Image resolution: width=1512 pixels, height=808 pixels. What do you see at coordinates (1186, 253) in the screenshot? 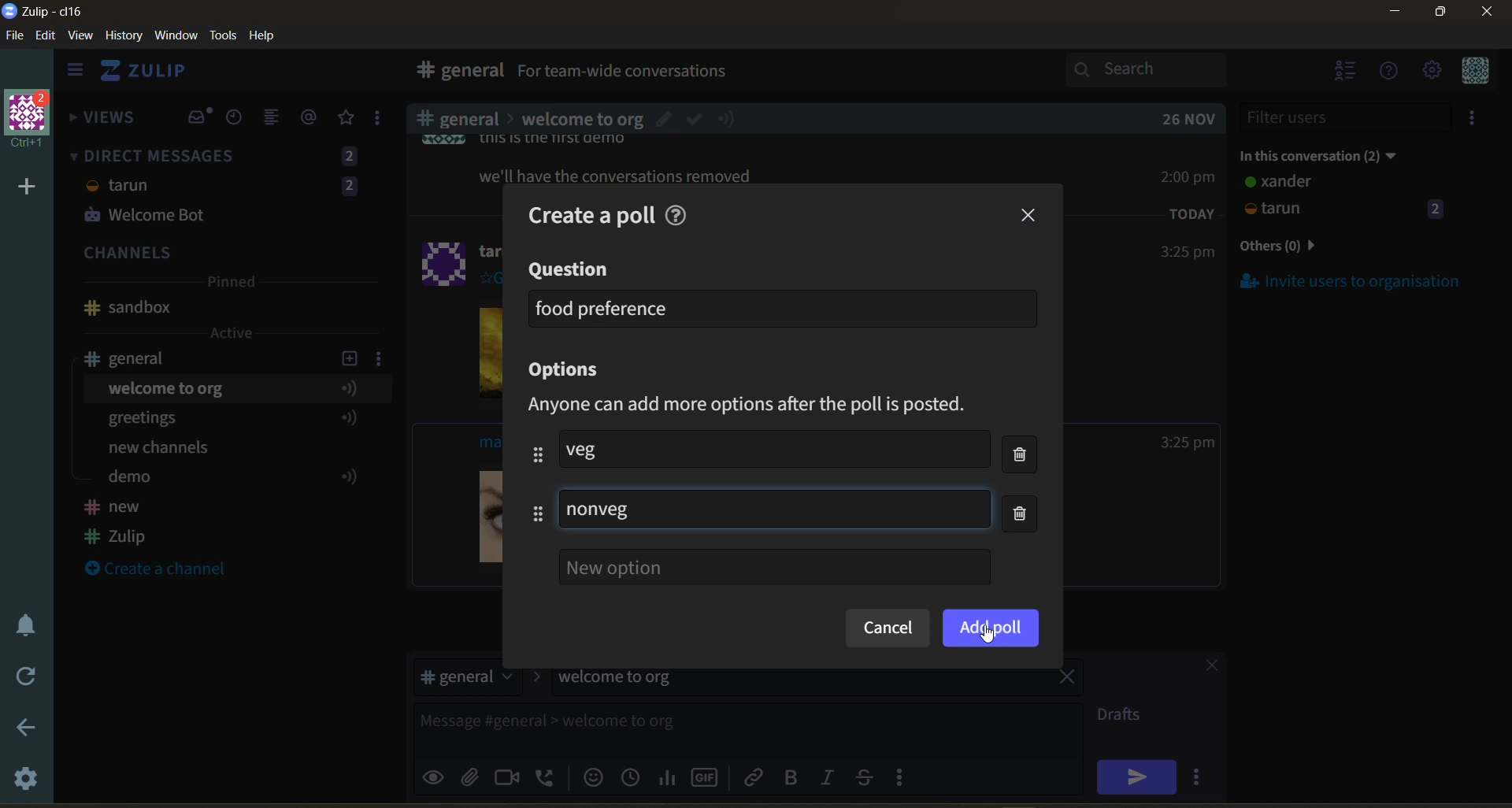
I see `3:25 pm` at bounding box center [1186, 253].